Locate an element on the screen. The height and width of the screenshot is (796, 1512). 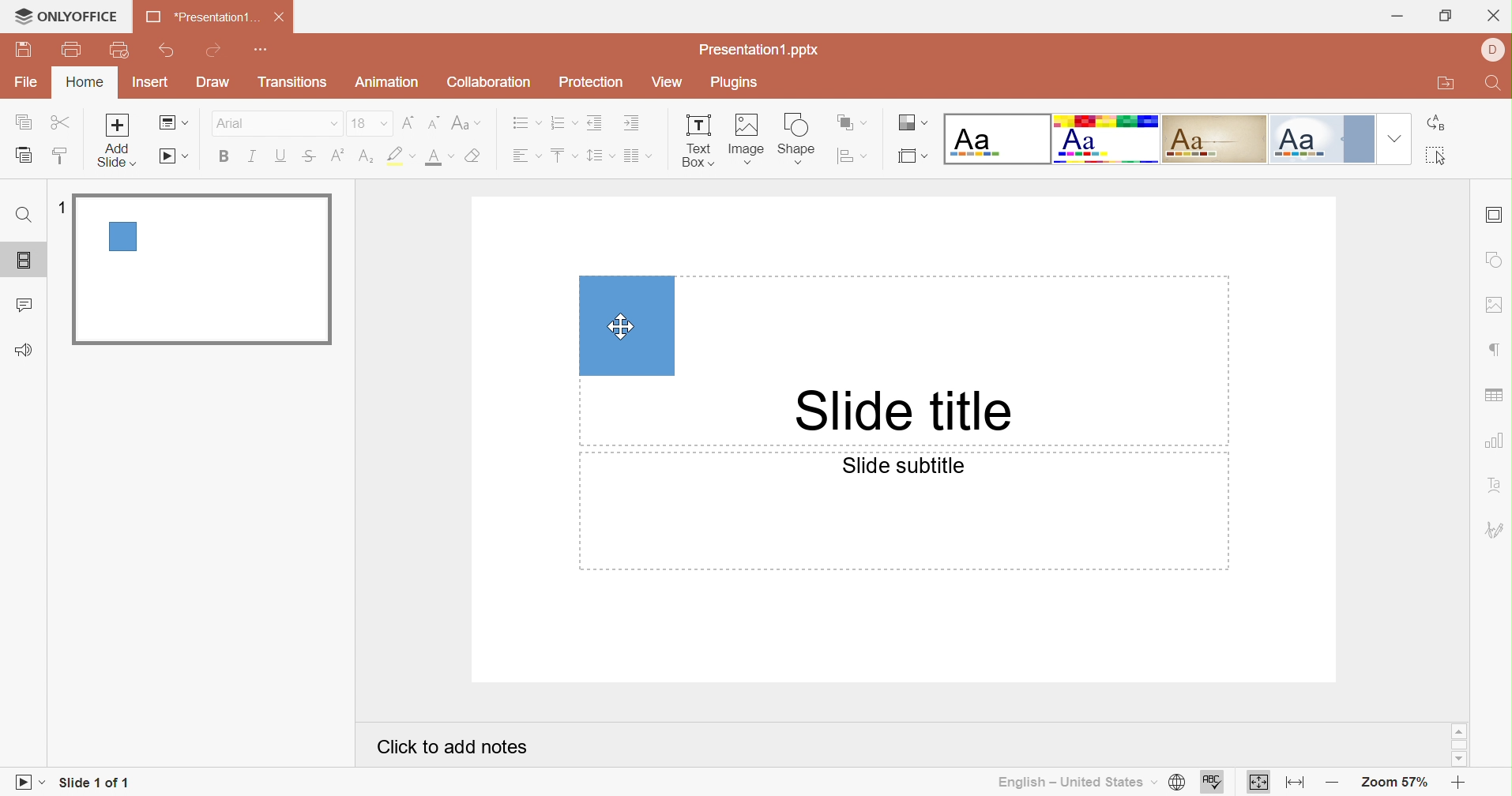
Bold is located at coordinates (226, 156).